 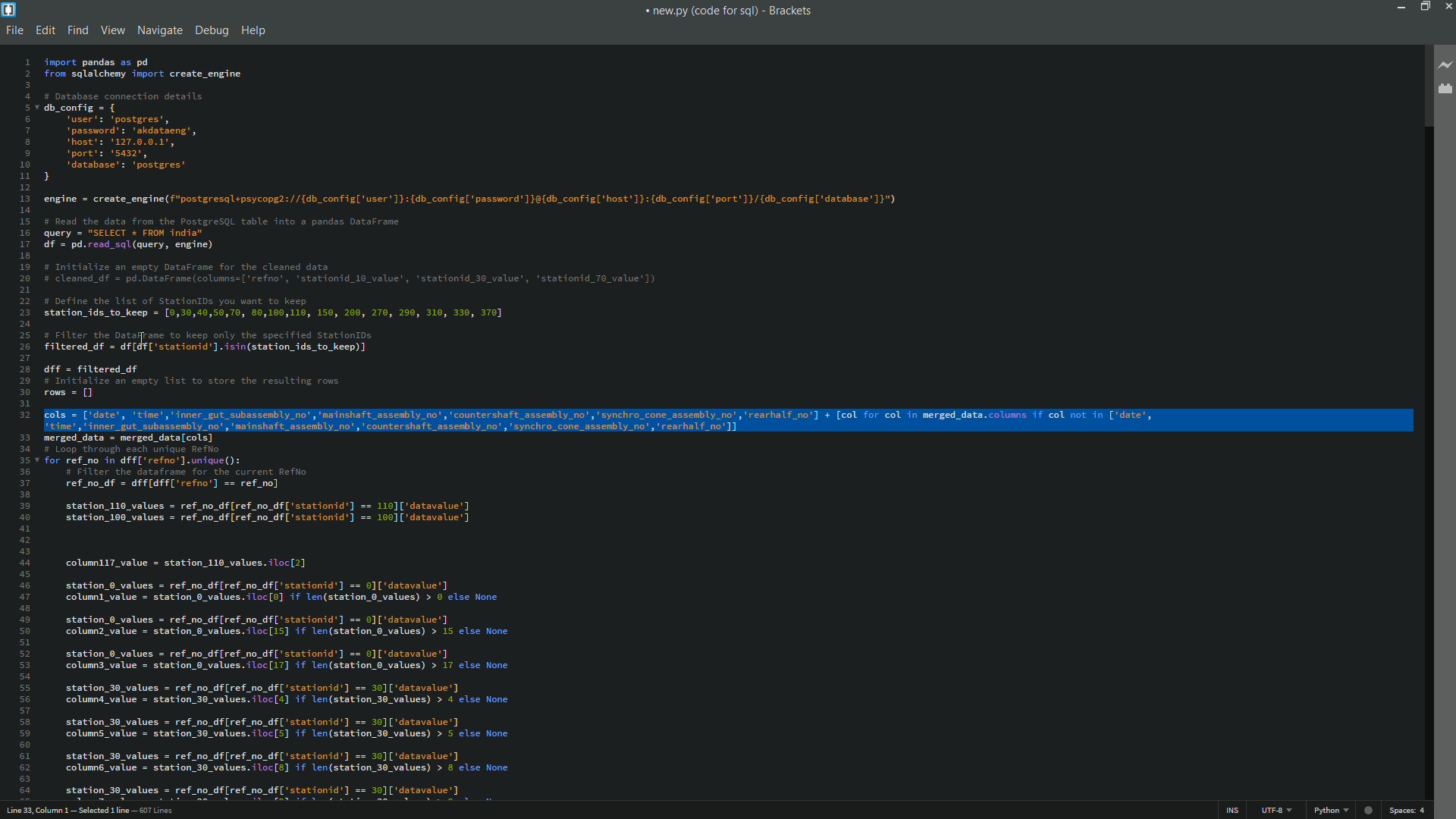 I want to click on file encoding, so click(x=1275, y=811).